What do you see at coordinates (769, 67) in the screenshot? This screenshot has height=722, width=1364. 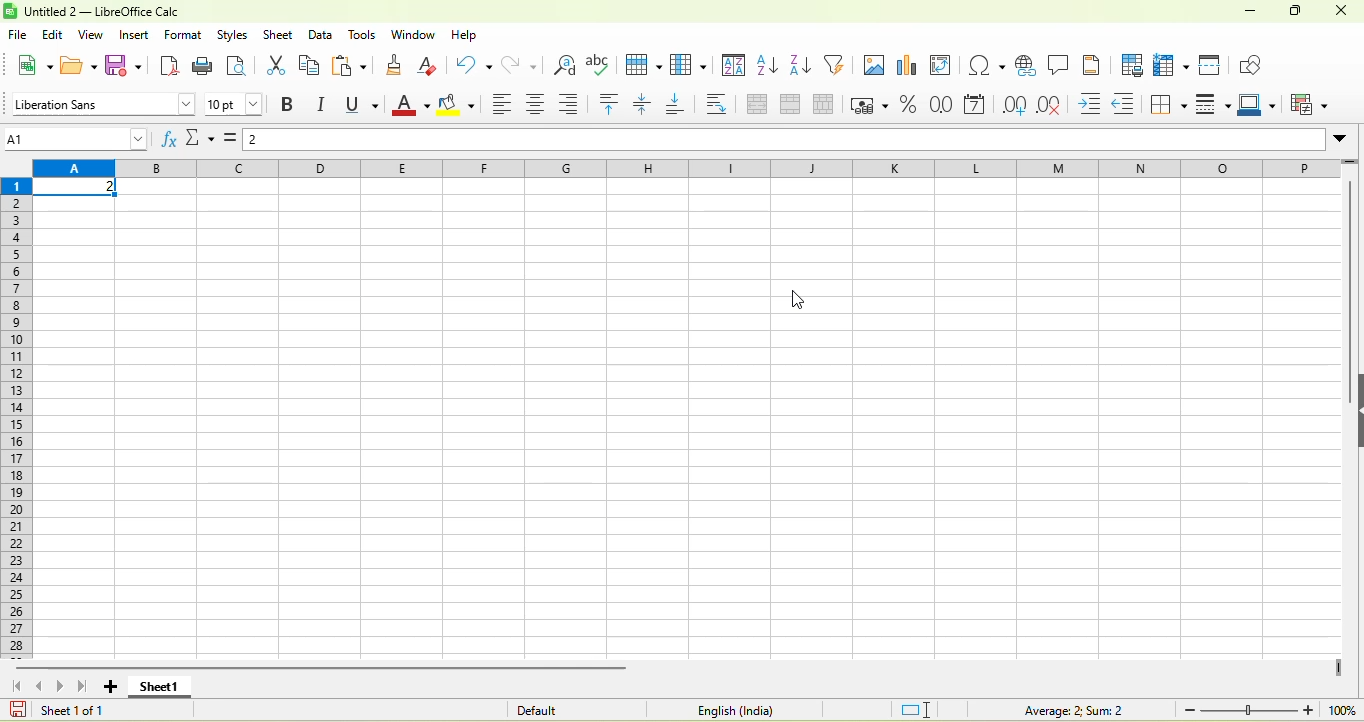 I see `sort ascending` at bounding box center [769, 67].